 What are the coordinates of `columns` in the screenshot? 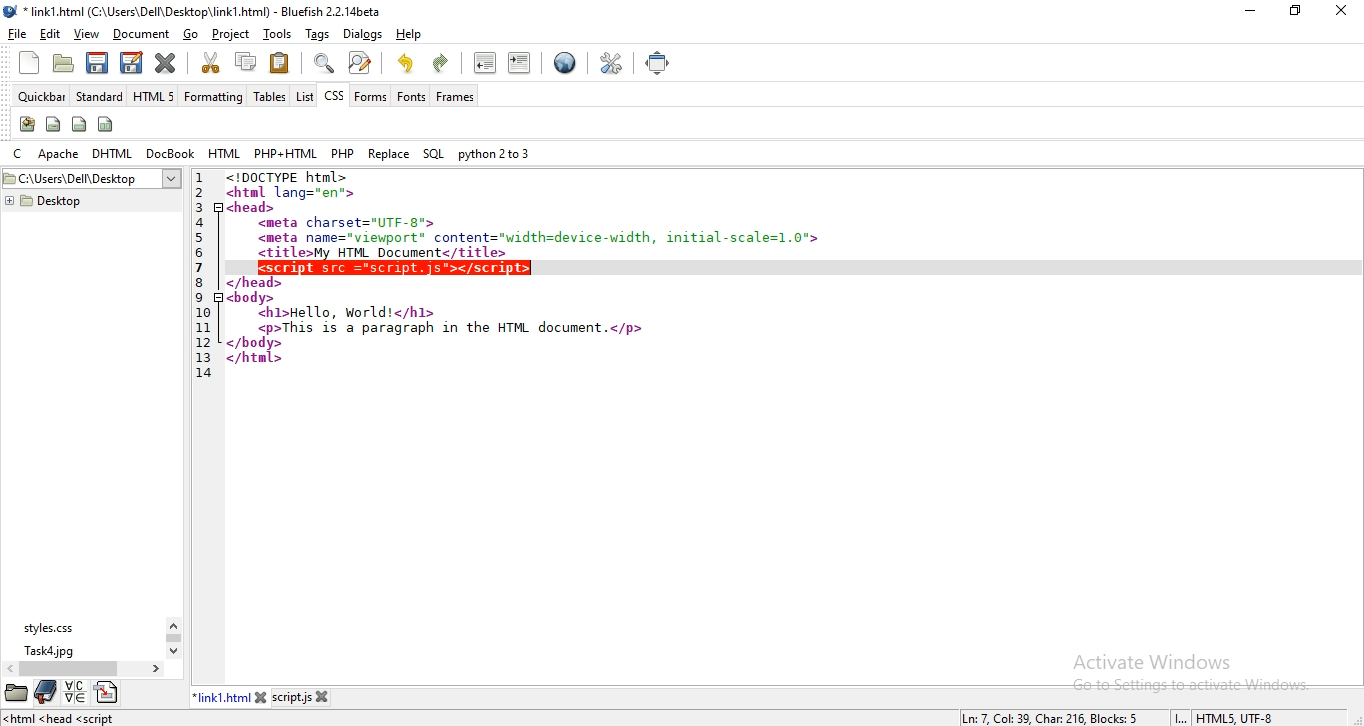 It's located at (104, 125).